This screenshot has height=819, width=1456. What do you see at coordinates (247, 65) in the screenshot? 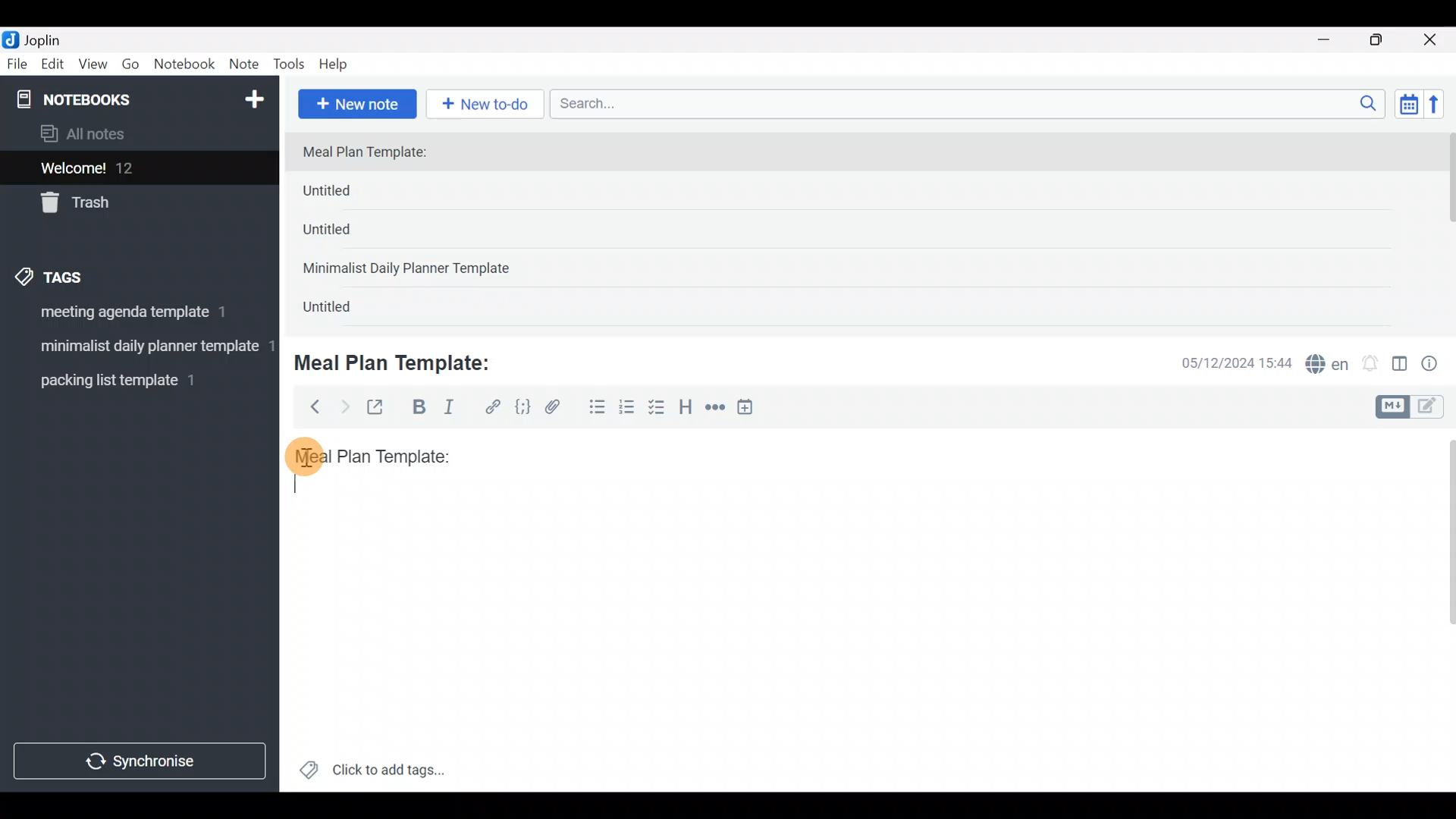
I see `Note` at bounding box center [247, 65].